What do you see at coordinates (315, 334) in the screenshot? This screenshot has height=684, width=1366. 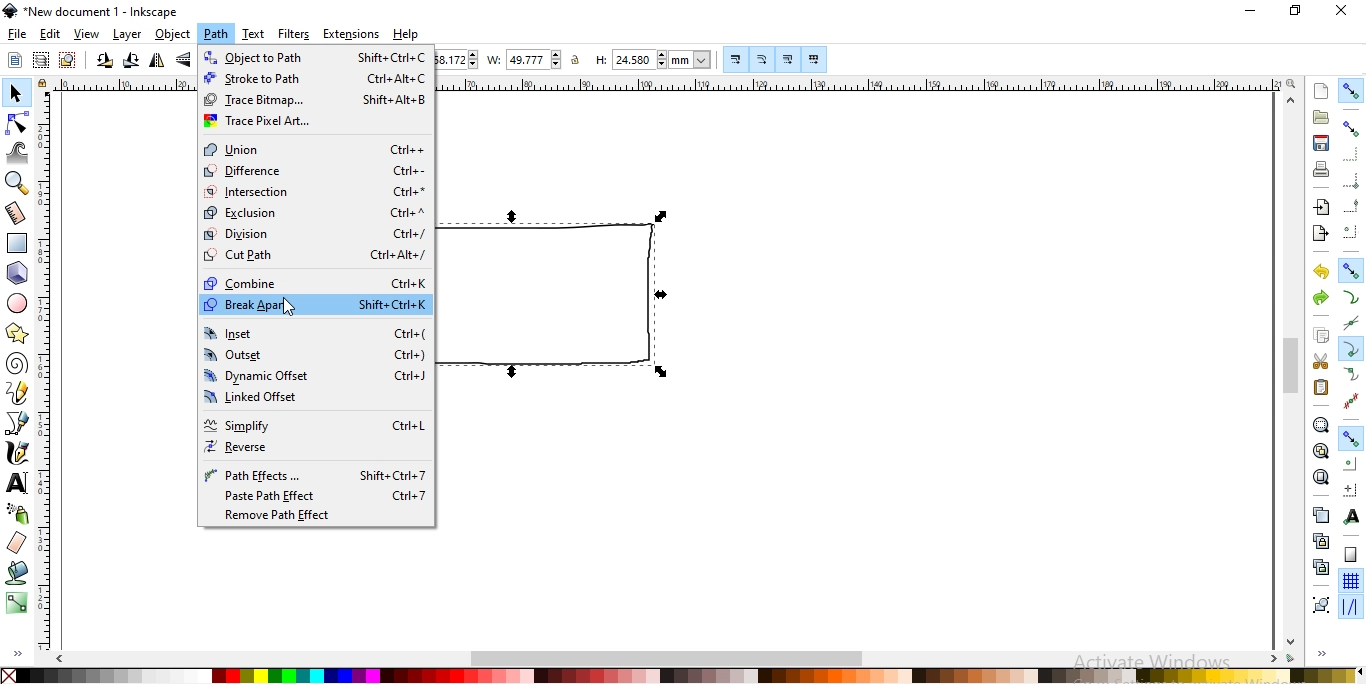 I see `inset` at bounding box center [315, 334].